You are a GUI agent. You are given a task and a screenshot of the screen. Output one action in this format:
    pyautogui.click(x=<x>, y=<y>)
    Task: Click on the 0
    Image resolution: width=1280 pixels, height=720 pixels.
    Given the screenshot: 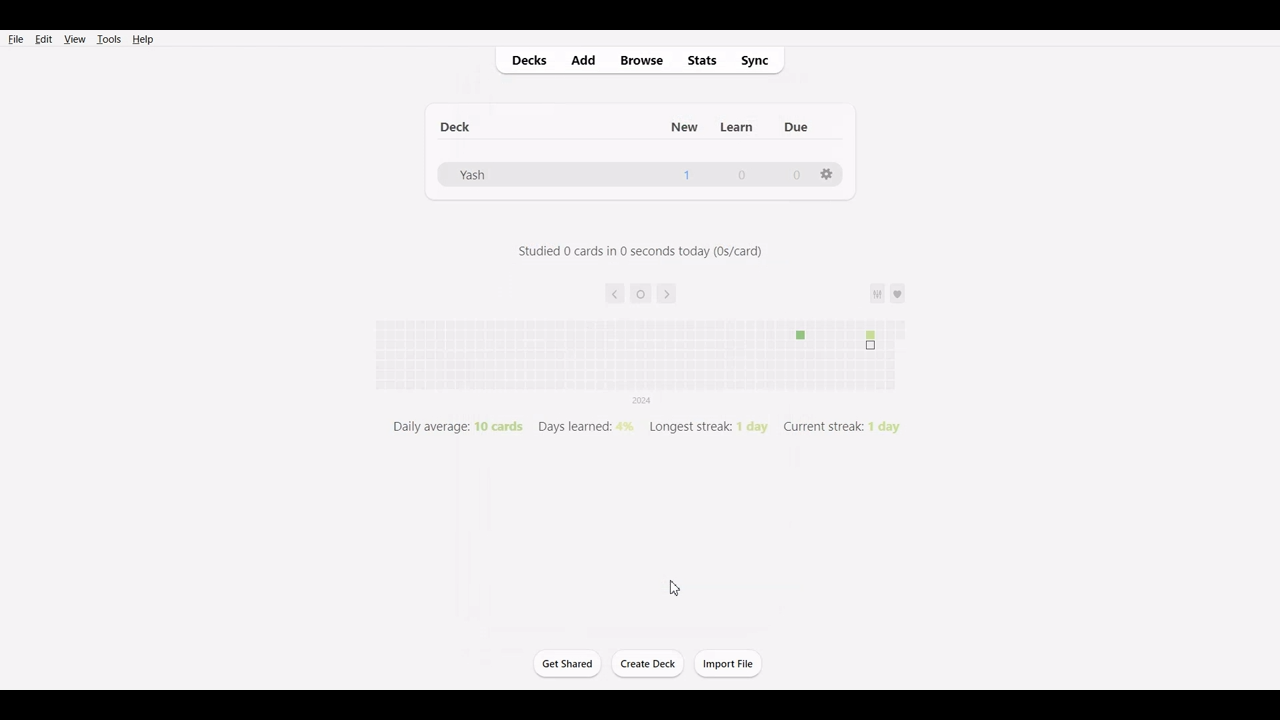 What is the action you would take?
    pyautogui.click(x=745, y=177)
    